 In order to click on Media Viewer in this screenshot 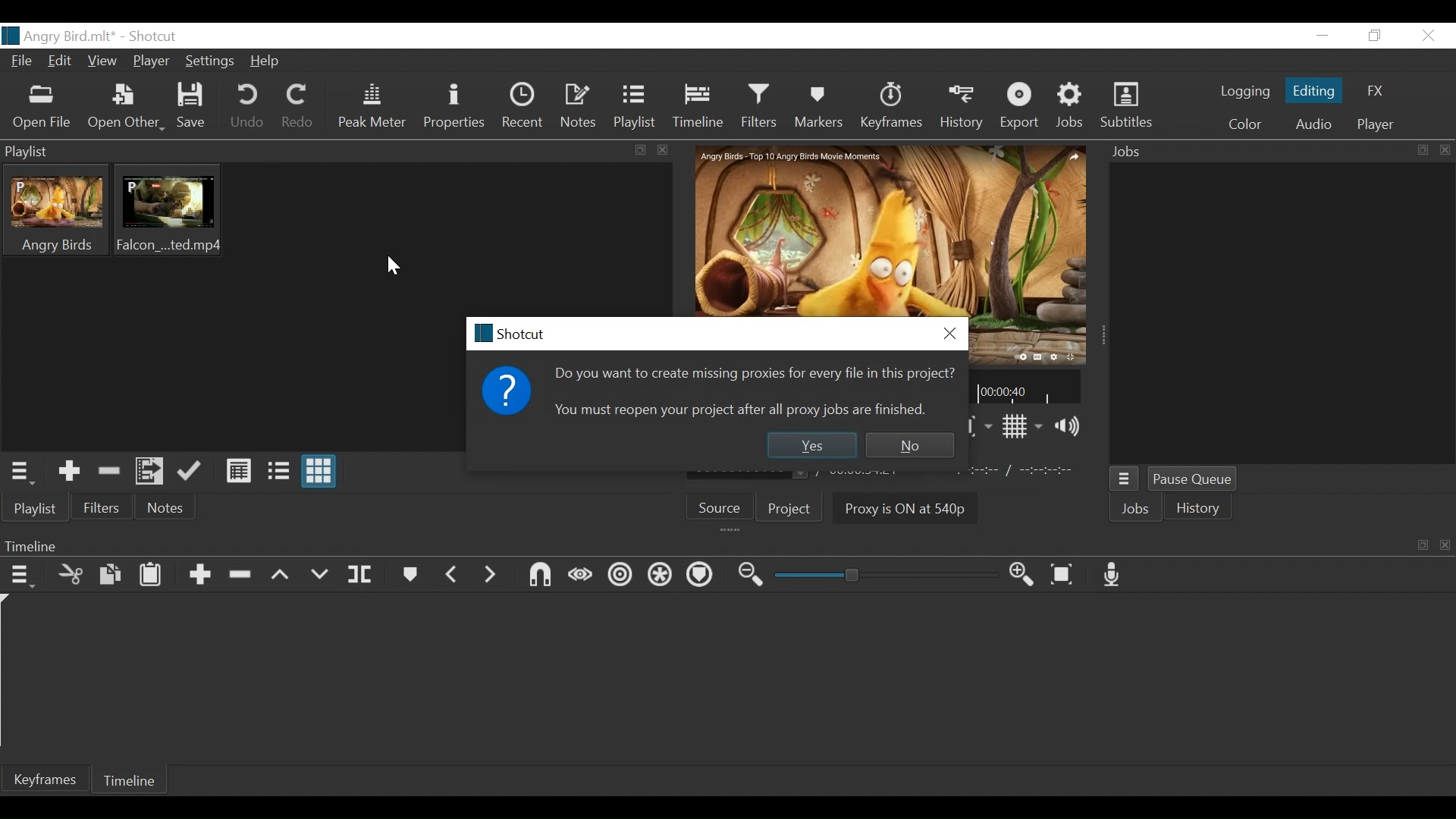, I will do `click(886, 231)`.